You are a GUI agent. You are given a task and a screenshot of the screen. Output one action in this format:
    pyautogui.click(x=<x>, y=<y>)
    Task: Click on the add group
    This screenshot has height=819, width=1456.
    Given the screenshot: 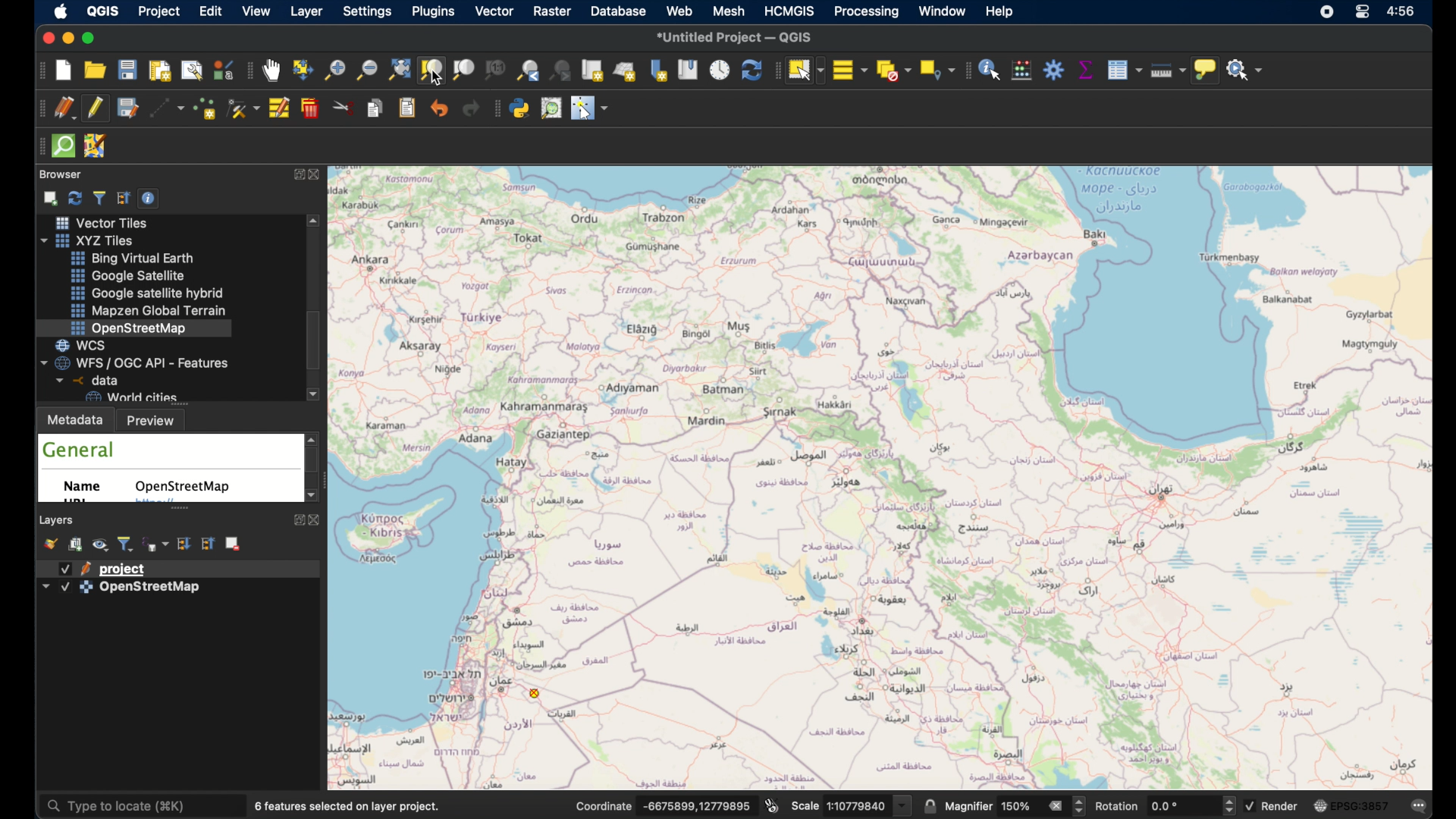 What is the action you would take?
    pyautogui.click(x=77, y=545)
    